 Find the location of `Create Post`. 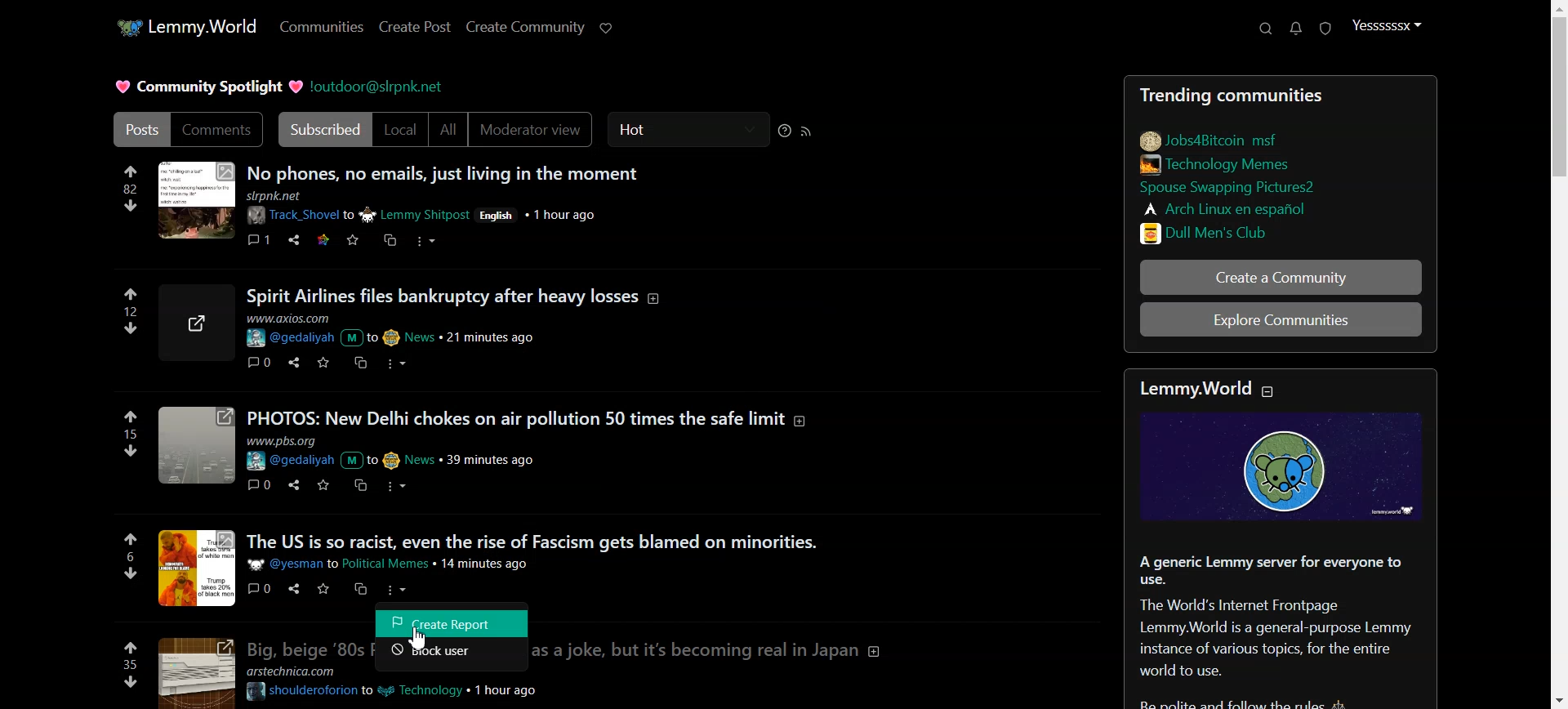

Create Post is located at coordinates (413, 27).